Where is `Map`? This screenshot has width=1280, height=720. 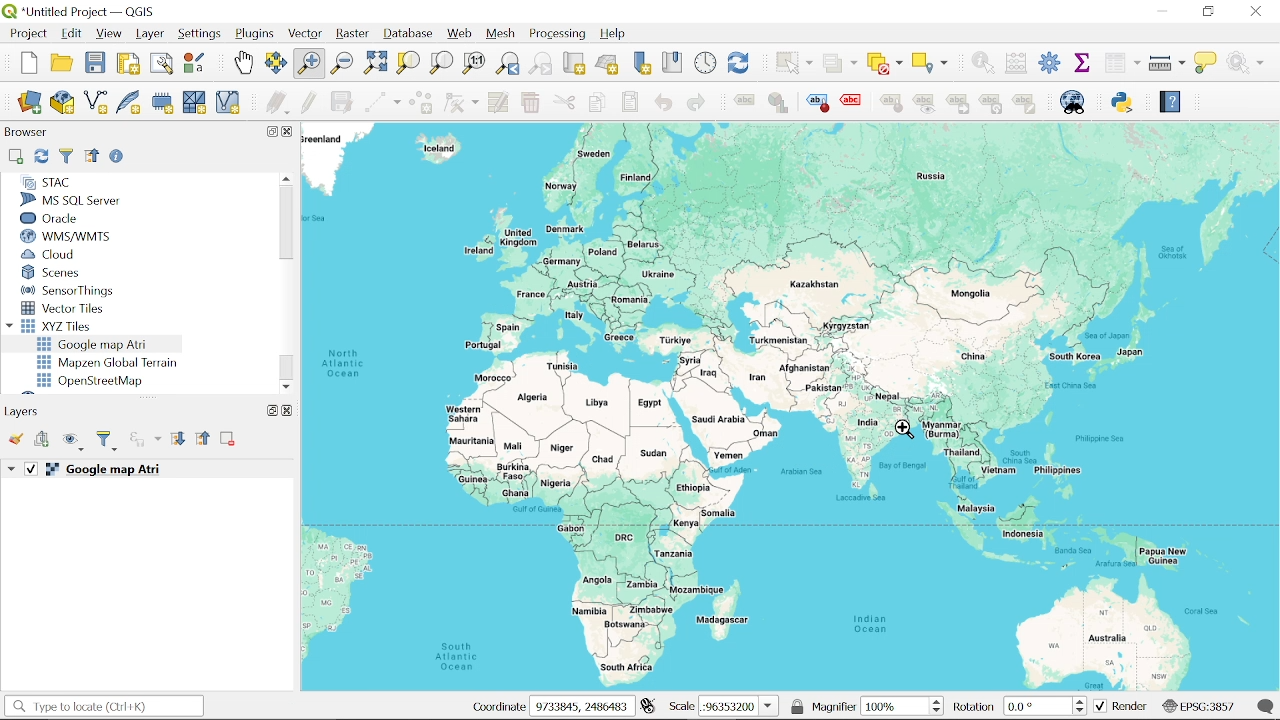
Map is located at coordinates (791, 407).